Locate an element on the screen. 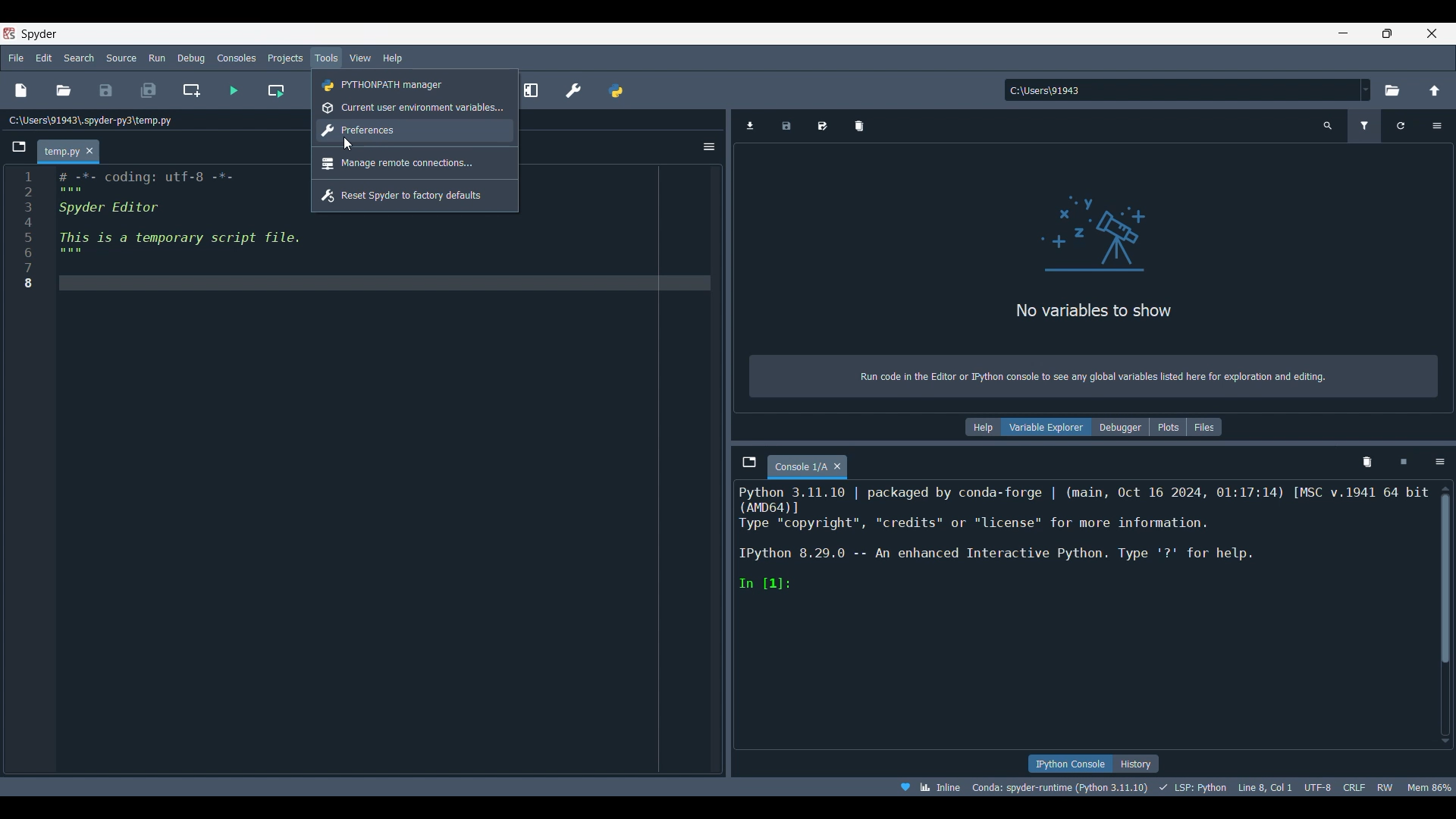  Filter variables, current selection is located at coordinates (1366, 126).